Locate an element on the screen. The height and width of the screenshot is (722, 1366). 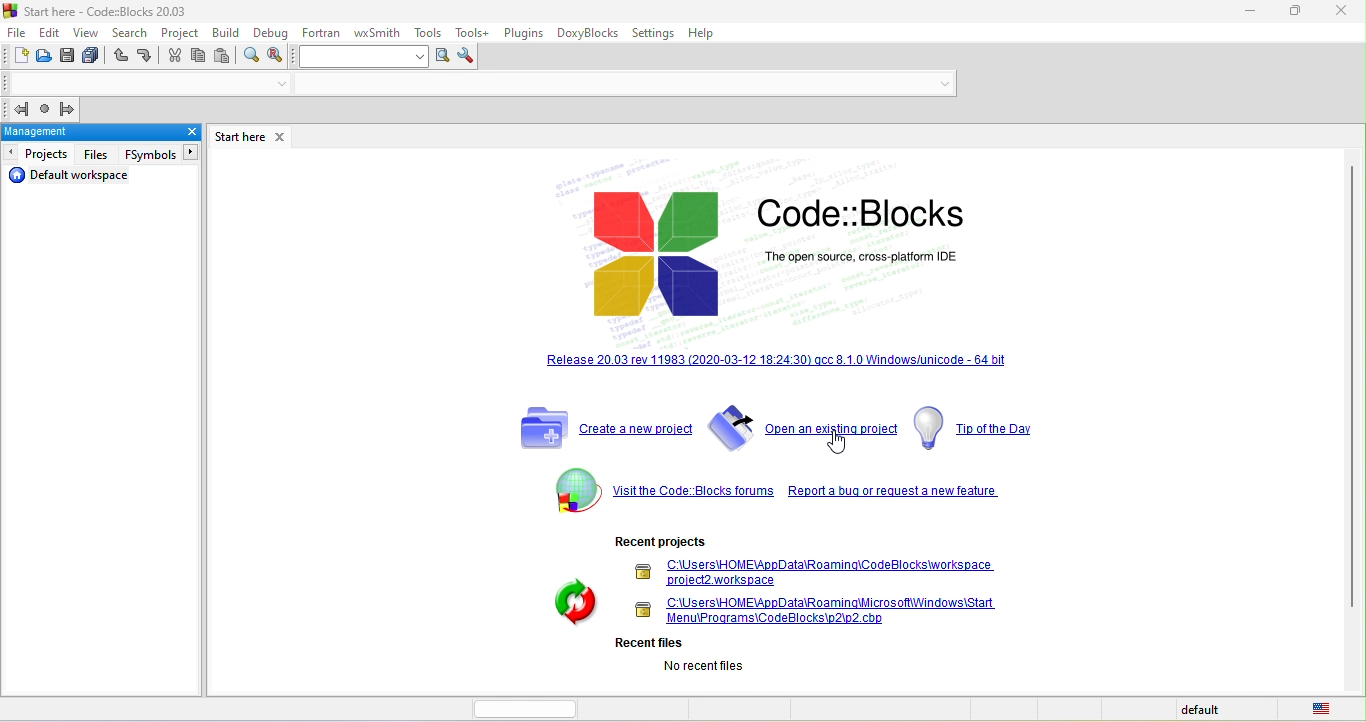
debug is located at coordinates (272, 34).